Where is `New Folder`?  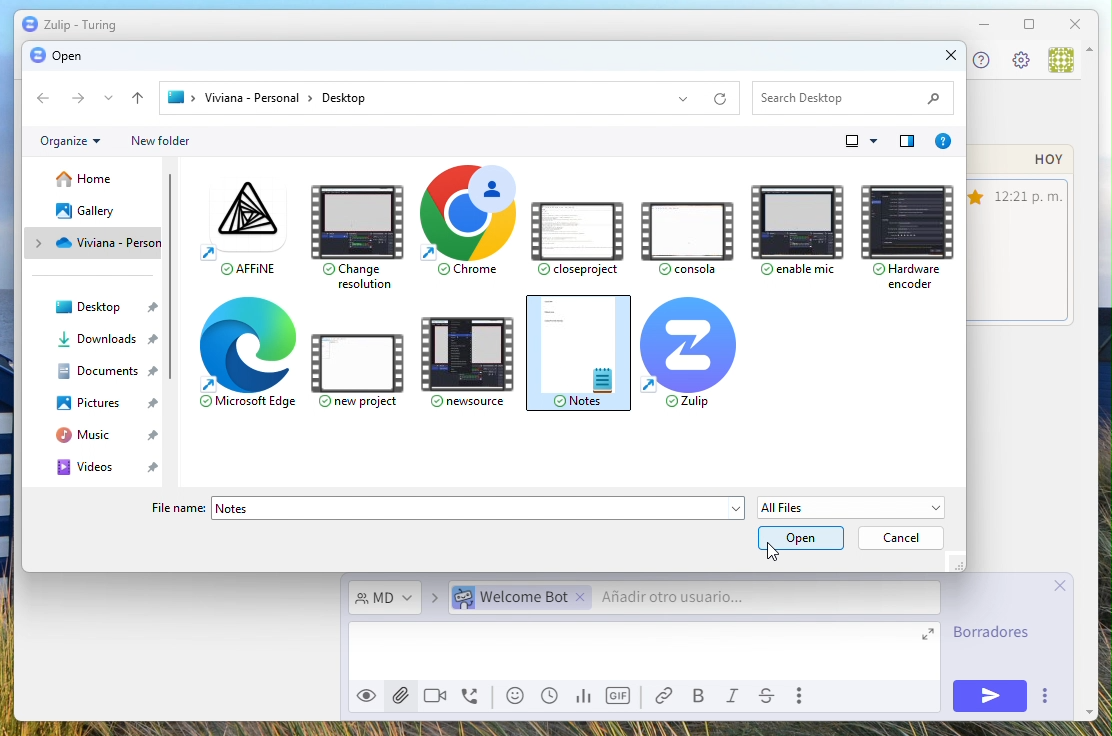 New Folder is located at coordinates (160, 141).